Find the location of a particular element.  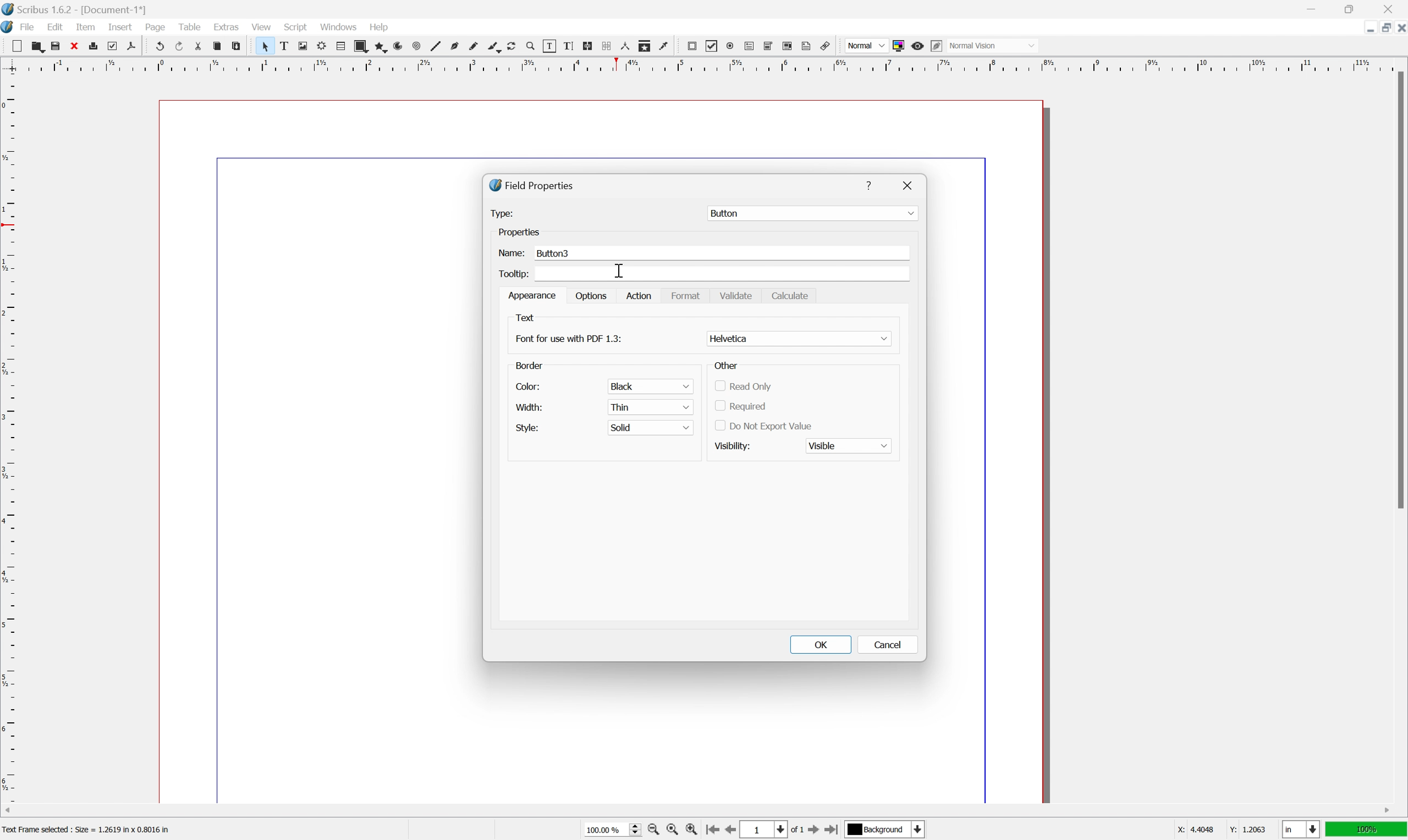

shape is located at coordinates (360, 46).